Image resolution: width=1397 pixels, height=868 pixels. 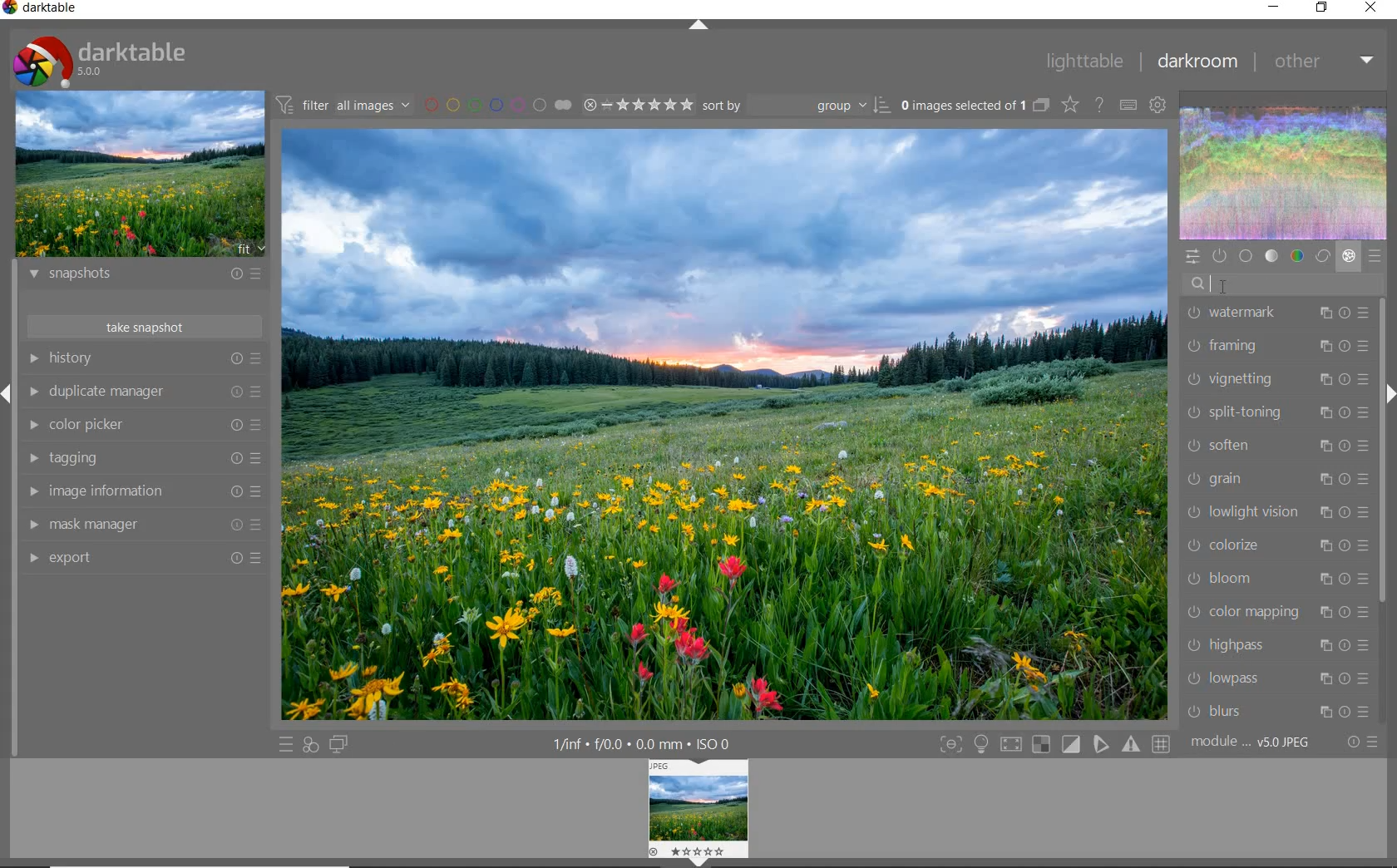 What do you see at coordinates (1275, 547) in the screenshot?
I see `colorize` at bounding box center [1275, 547].